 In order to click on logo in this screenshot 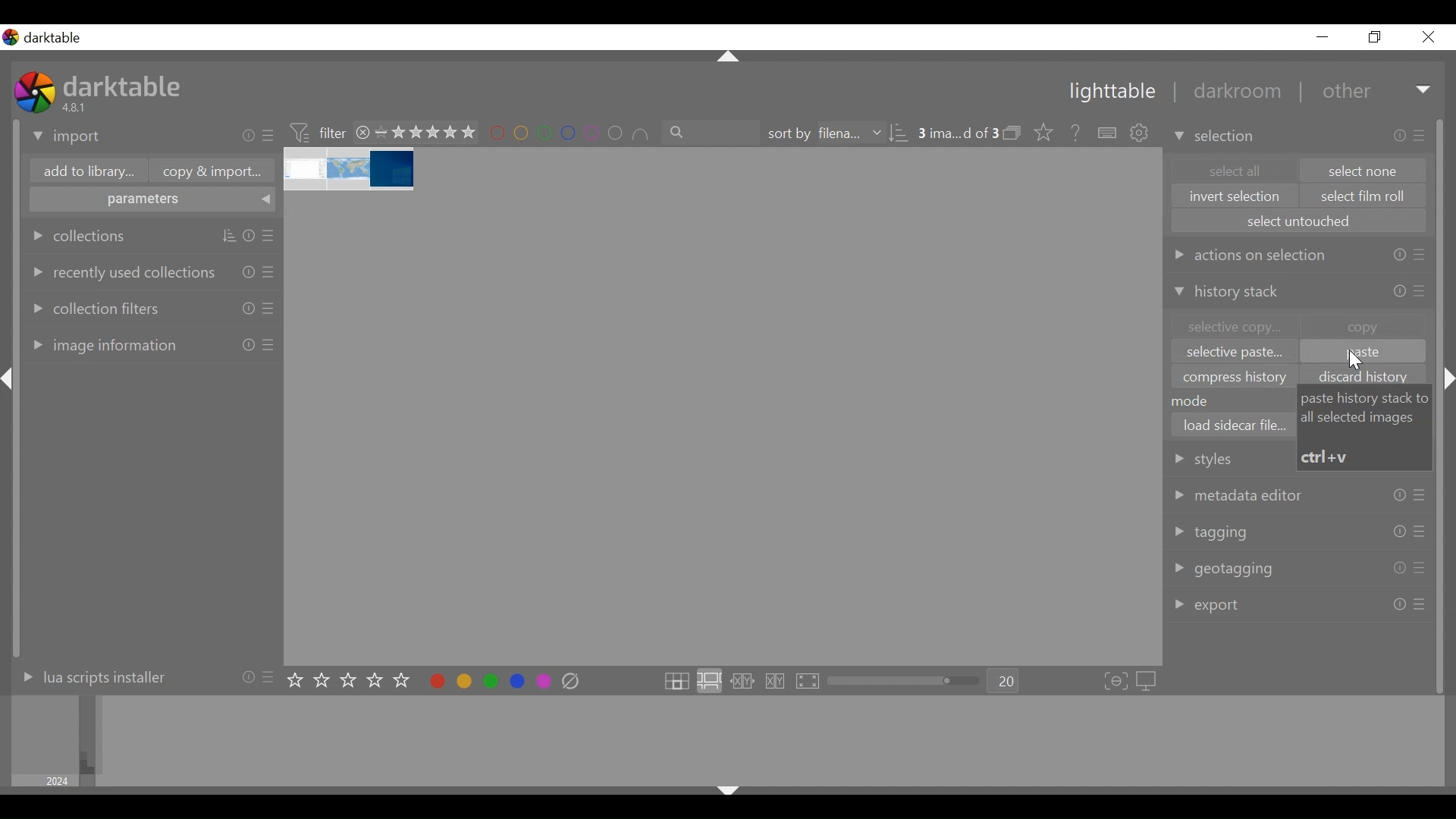, I will do `click(11, 37)`.